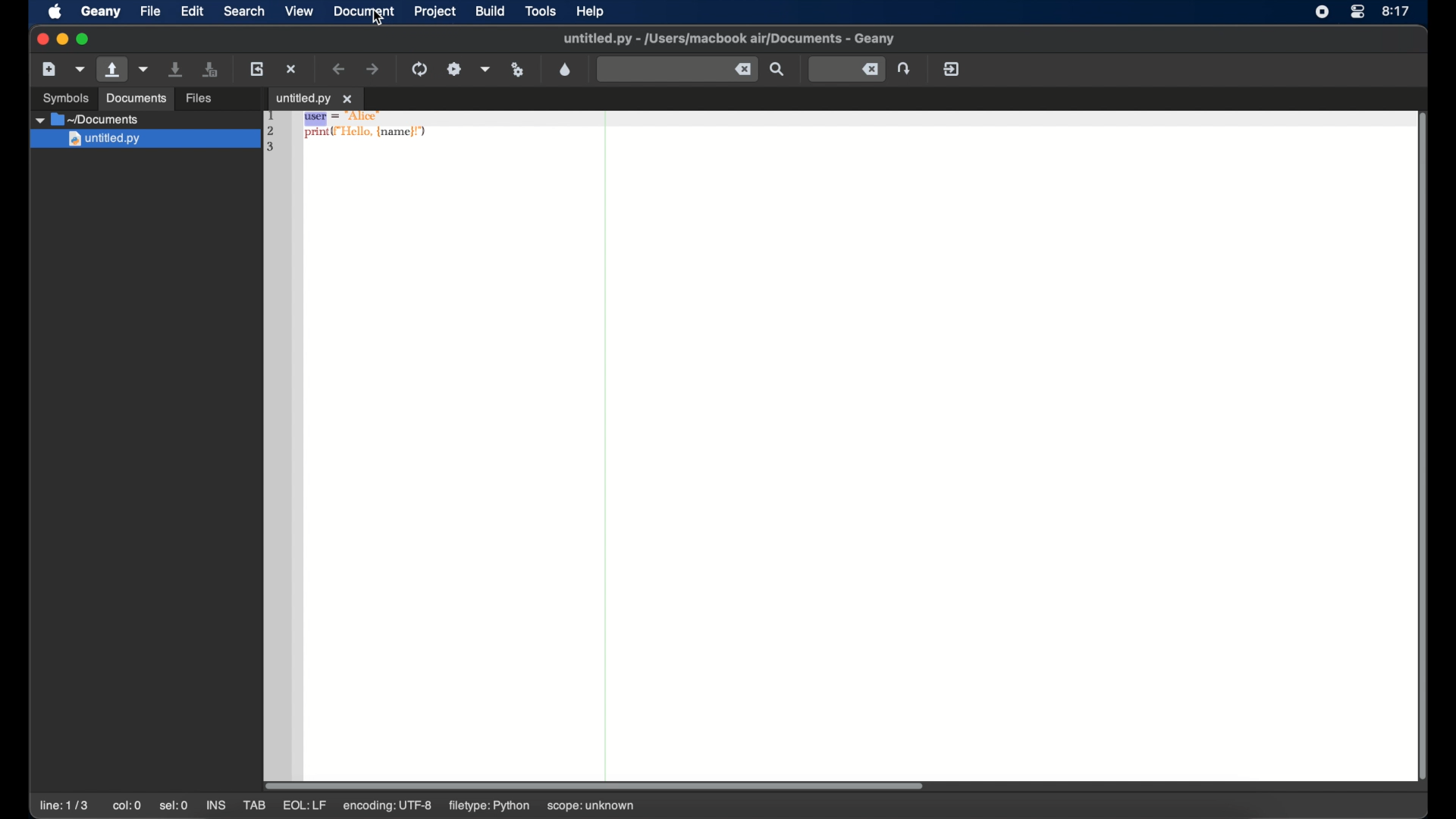 Image resolution: width=1456 pixels, height=819 pixels. I want to click on time, so click(1397, 11).